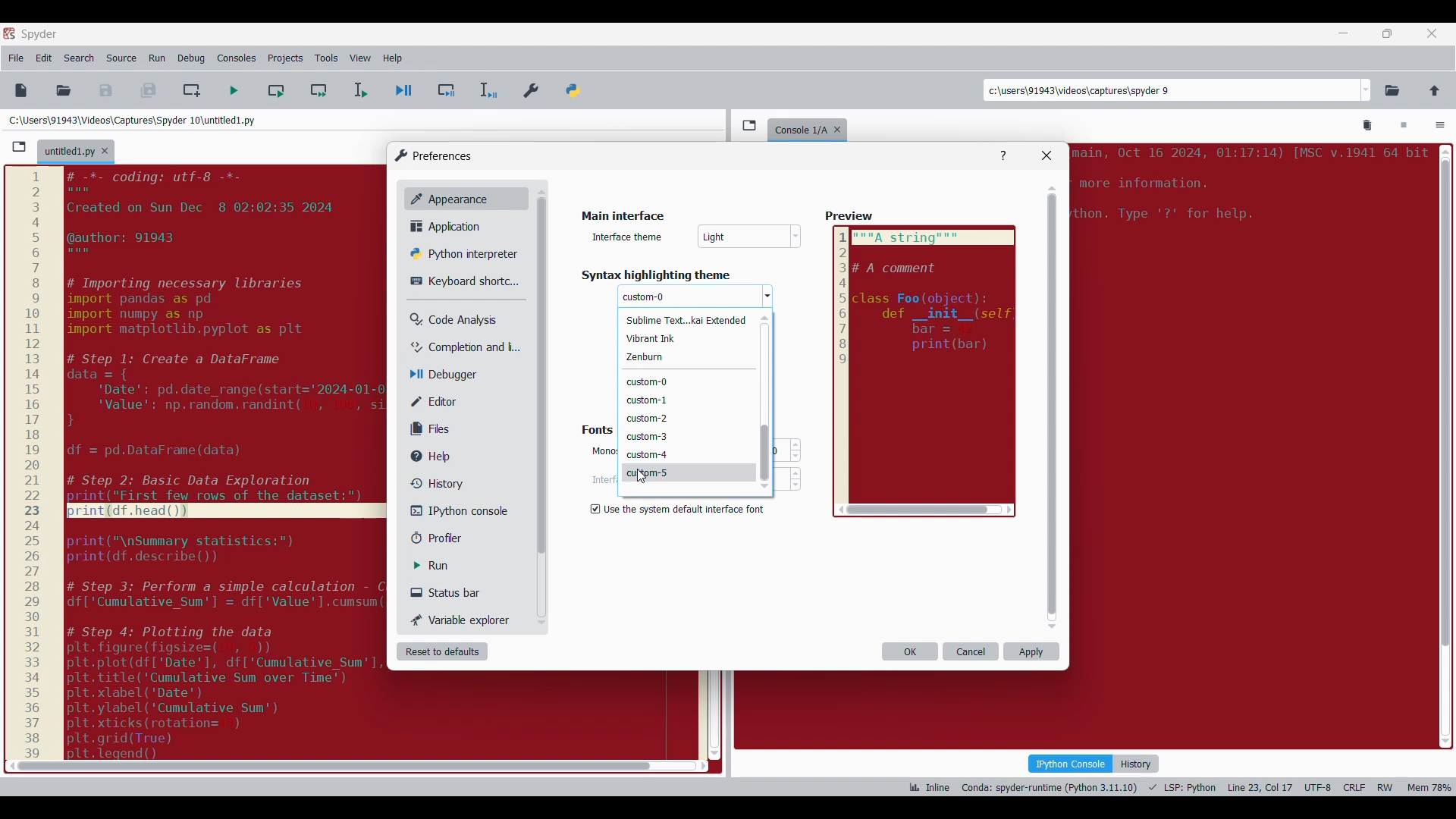  What do you see at coordinates (107, 90) in the screenshot?
I see `Save file` at bounding box center [107, 90].